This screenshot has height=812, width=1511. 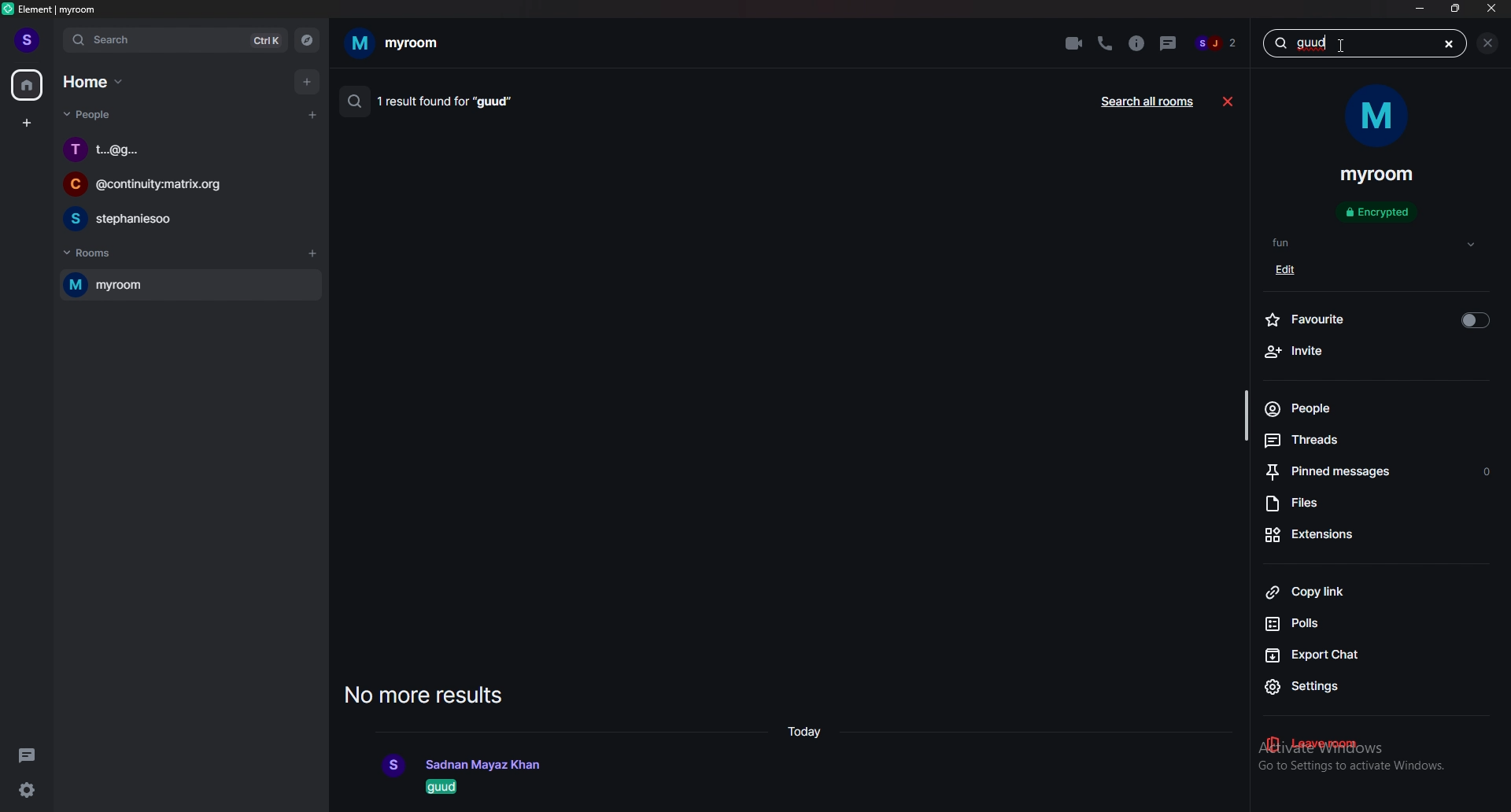 What do you see at coordinates (1376, 119) in the screenshot?
I see `room display photo` at bounding box center [1376, 119].